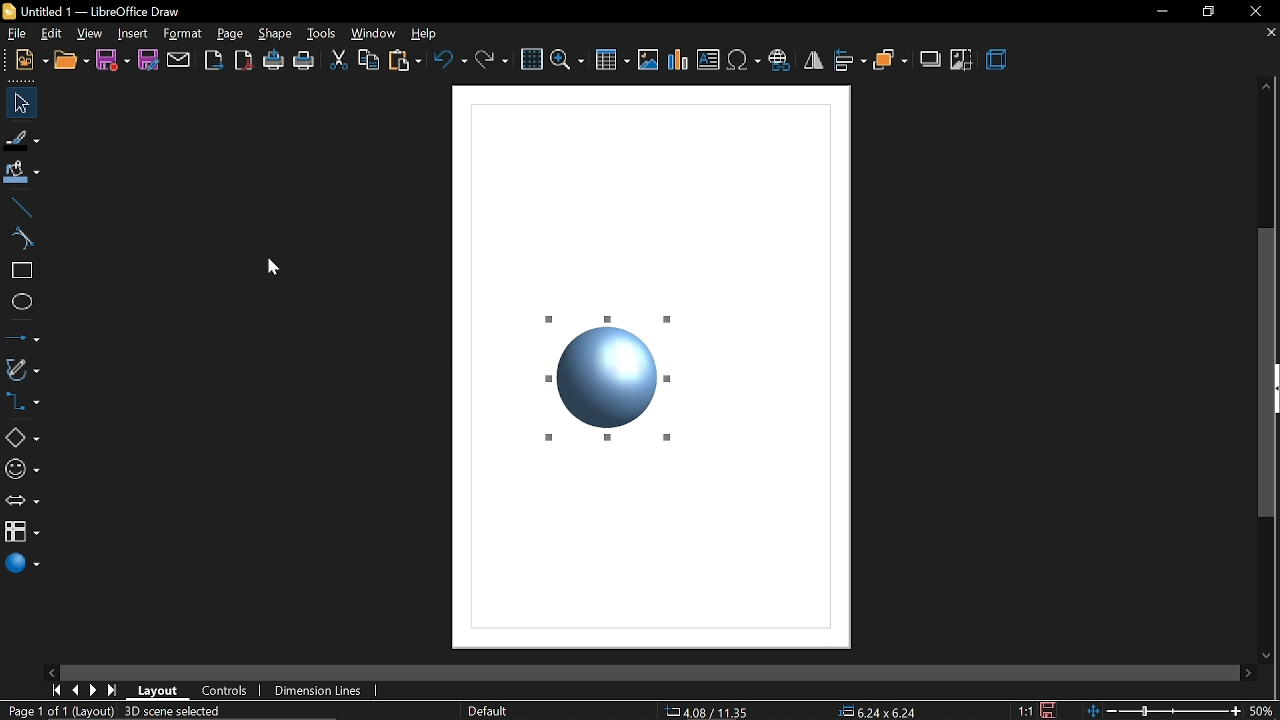  I want to click on controls, so click(227, 691).